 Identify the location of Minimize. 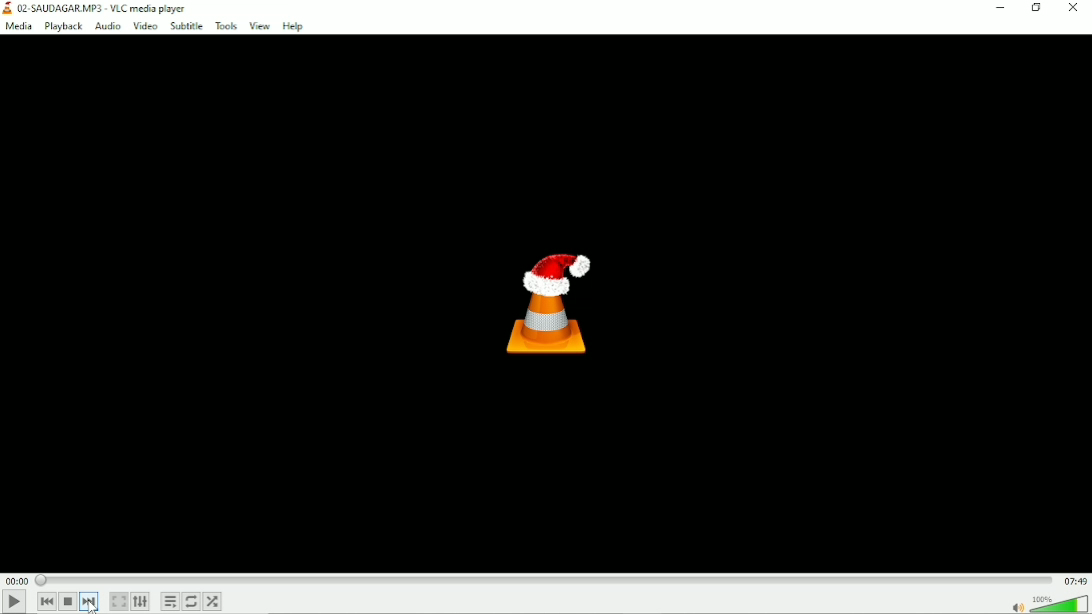
(999, 9).